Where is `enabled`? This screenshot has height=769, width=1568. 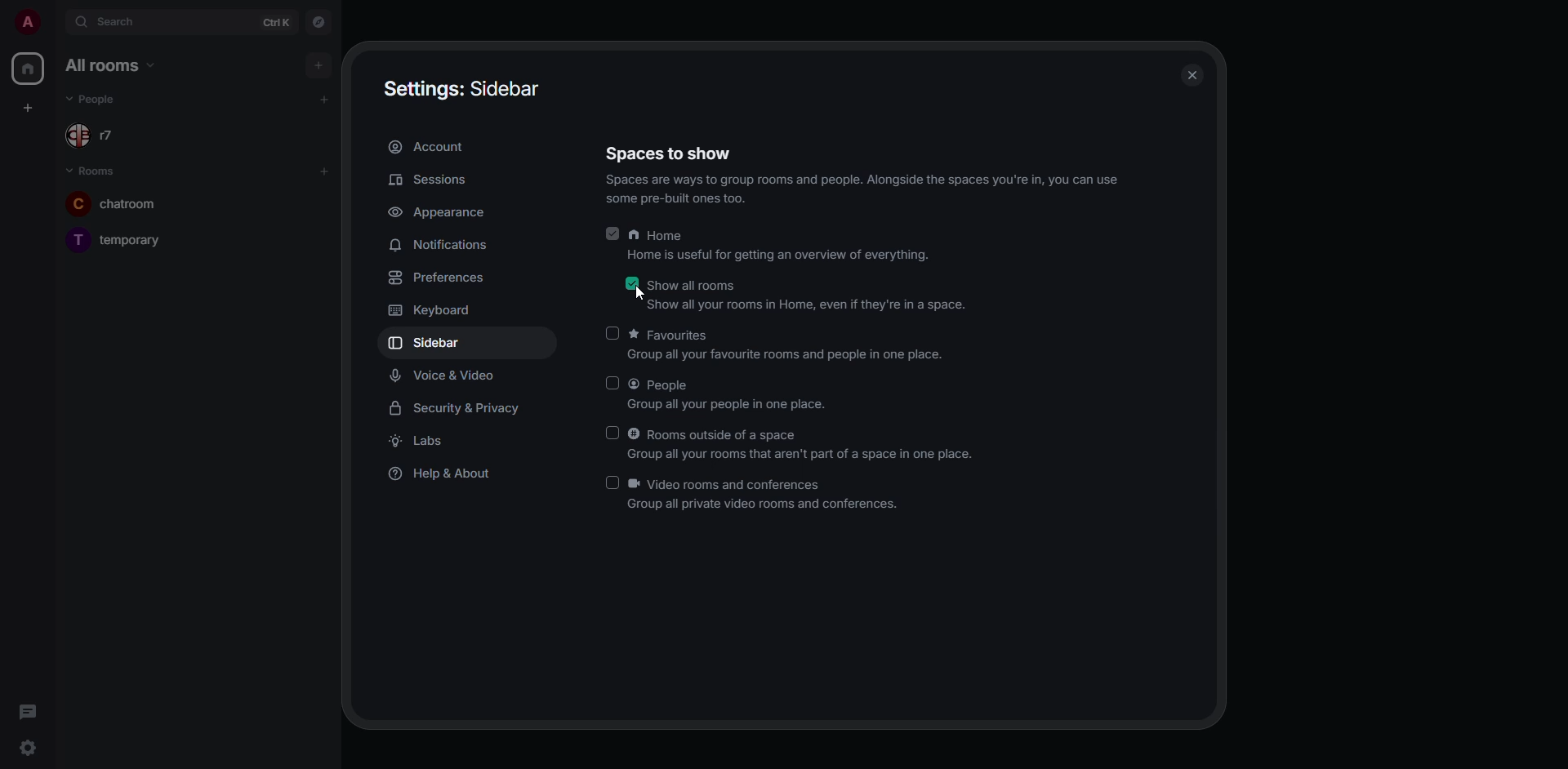 enabled is located at coordinates (611, 233).